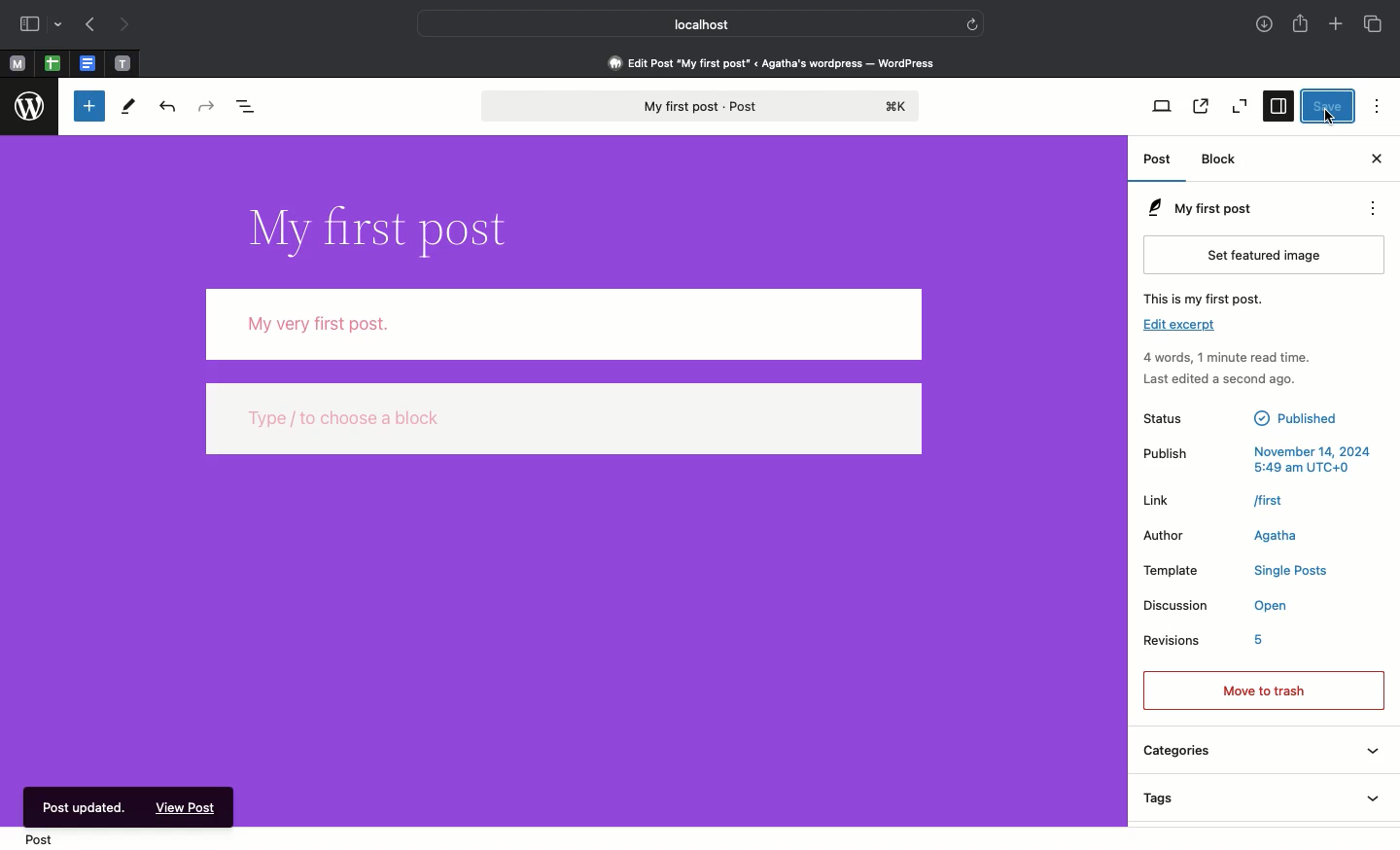 The height and width of the screenshot is (850, 1400). Describe the element at coordinates (1327, 122) in the screenshot. I see `cursor` at that location.